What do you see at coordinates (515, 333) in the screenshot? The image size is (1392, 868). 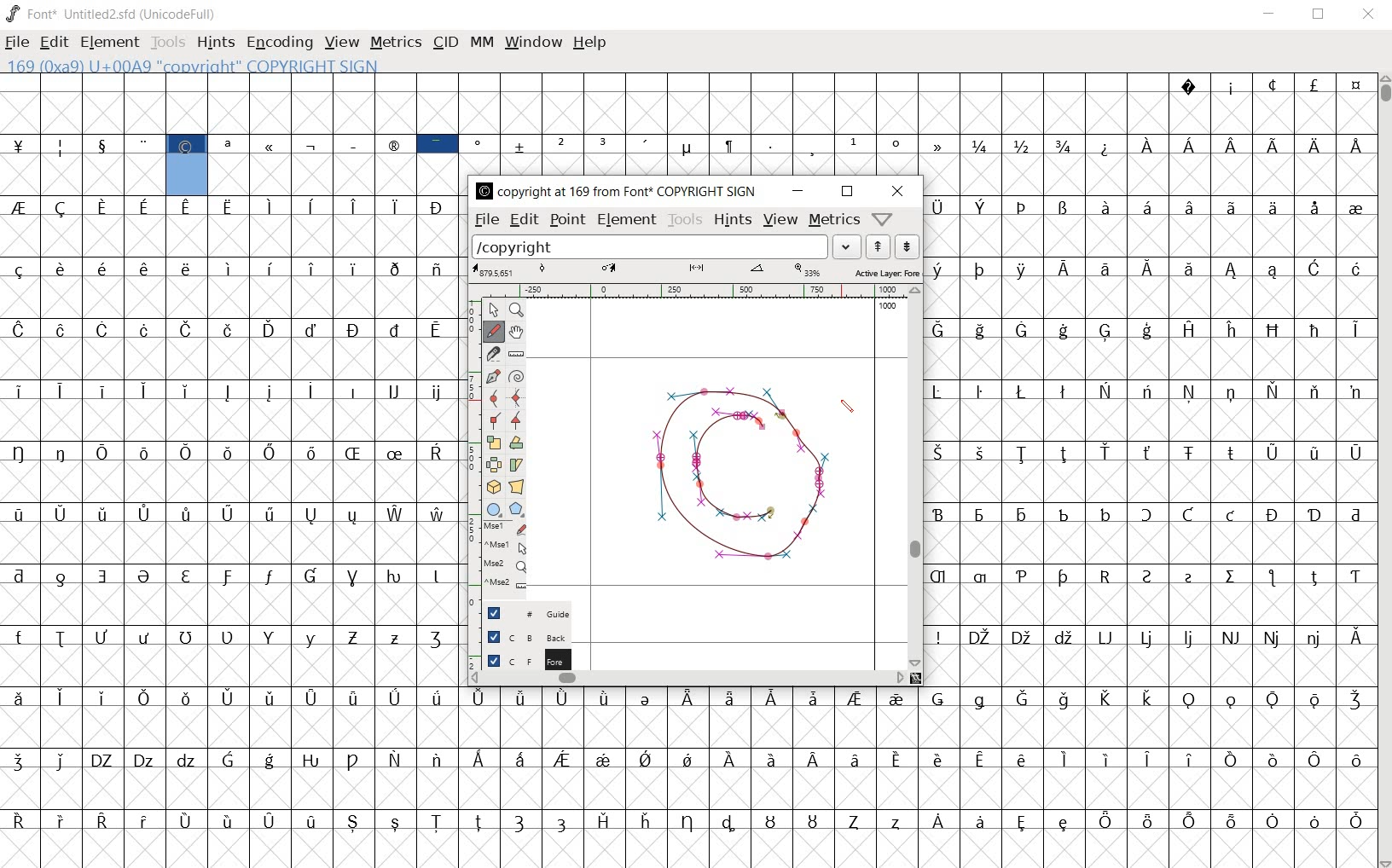 I see `scroll by hand` at bounding box center [515, 333].